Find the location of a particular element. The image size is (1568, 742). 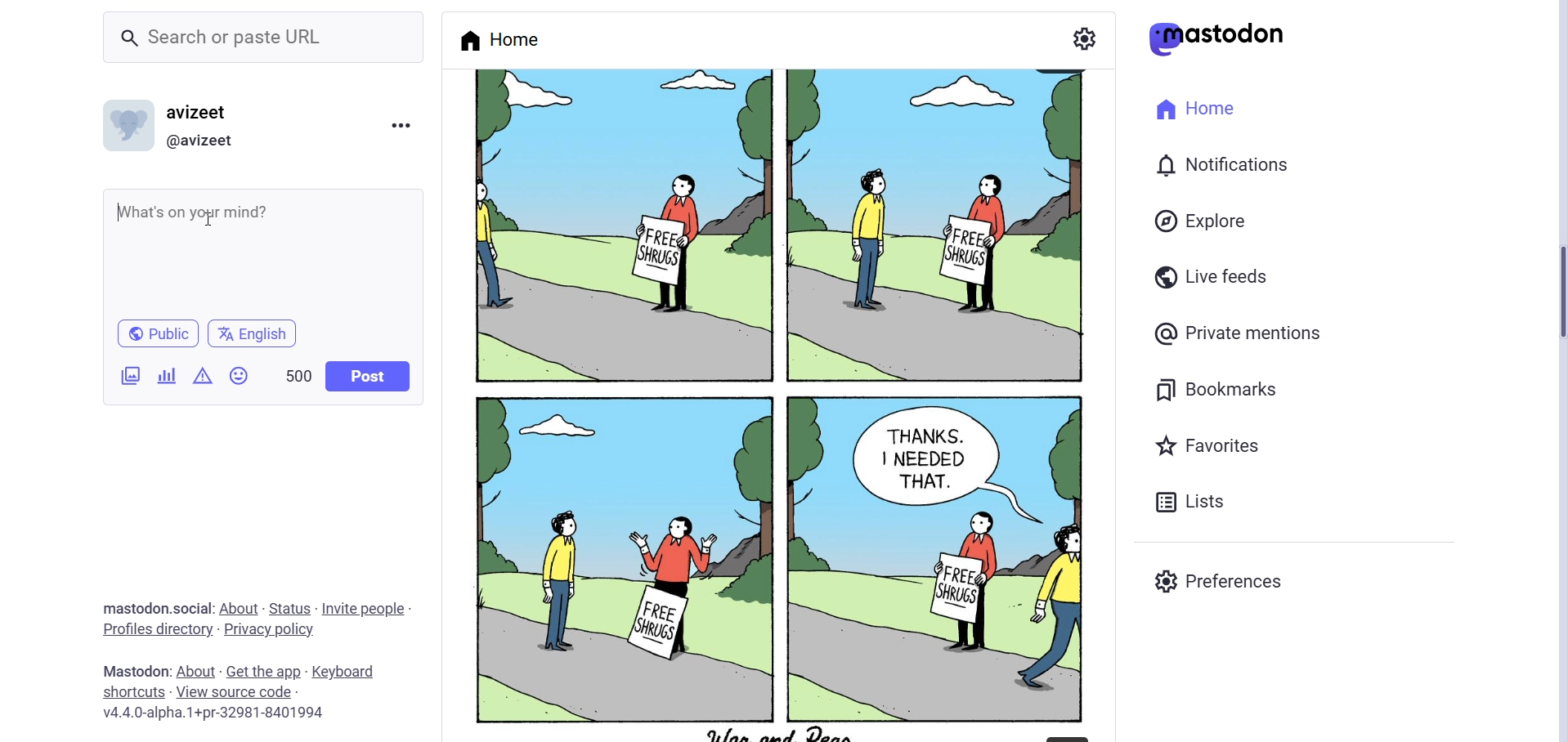

Text is located at coordinates (158, 608).